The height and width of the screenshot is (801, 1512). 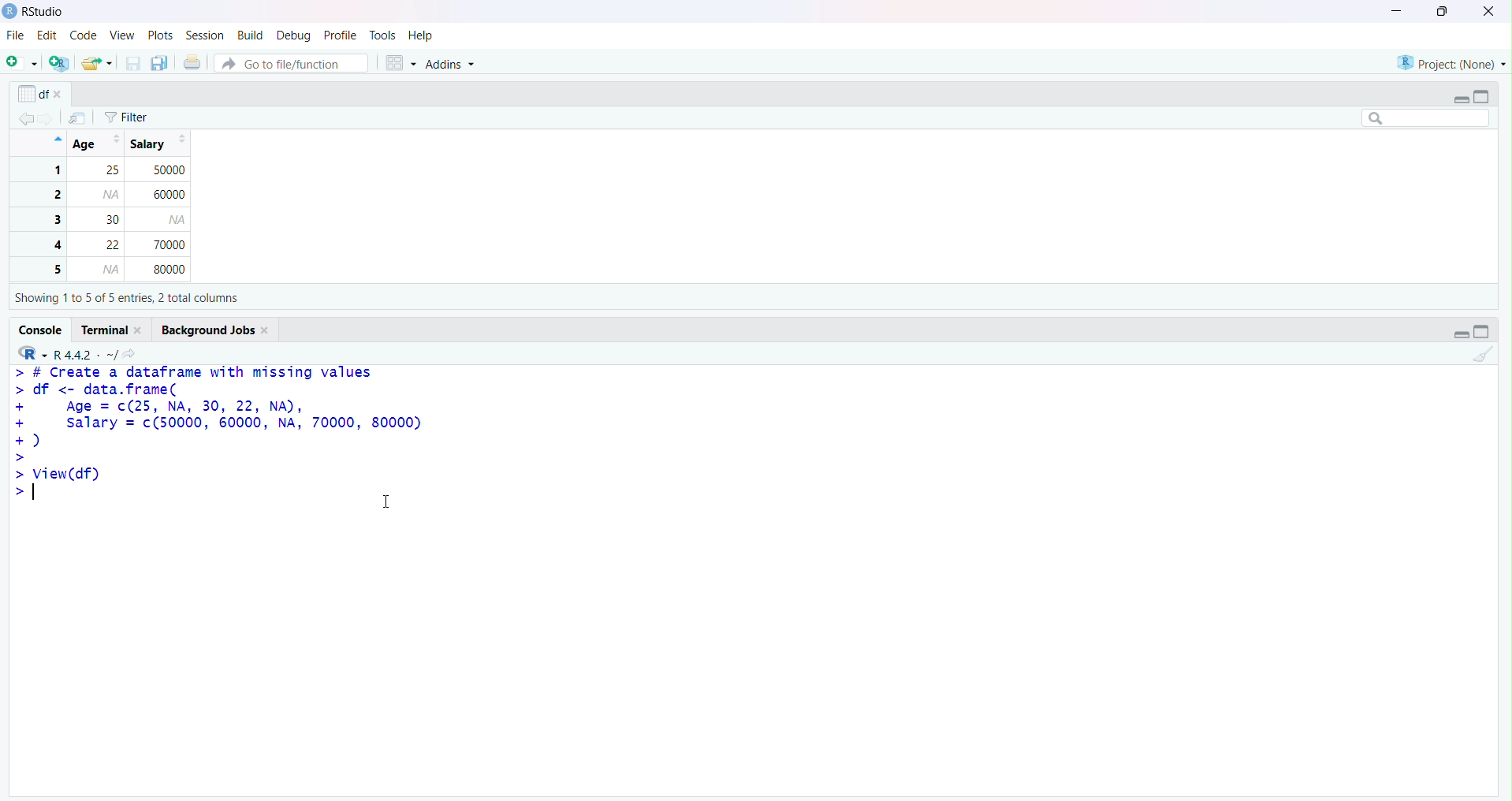 I want to click on Minimize, so click(x=1459, y=100).